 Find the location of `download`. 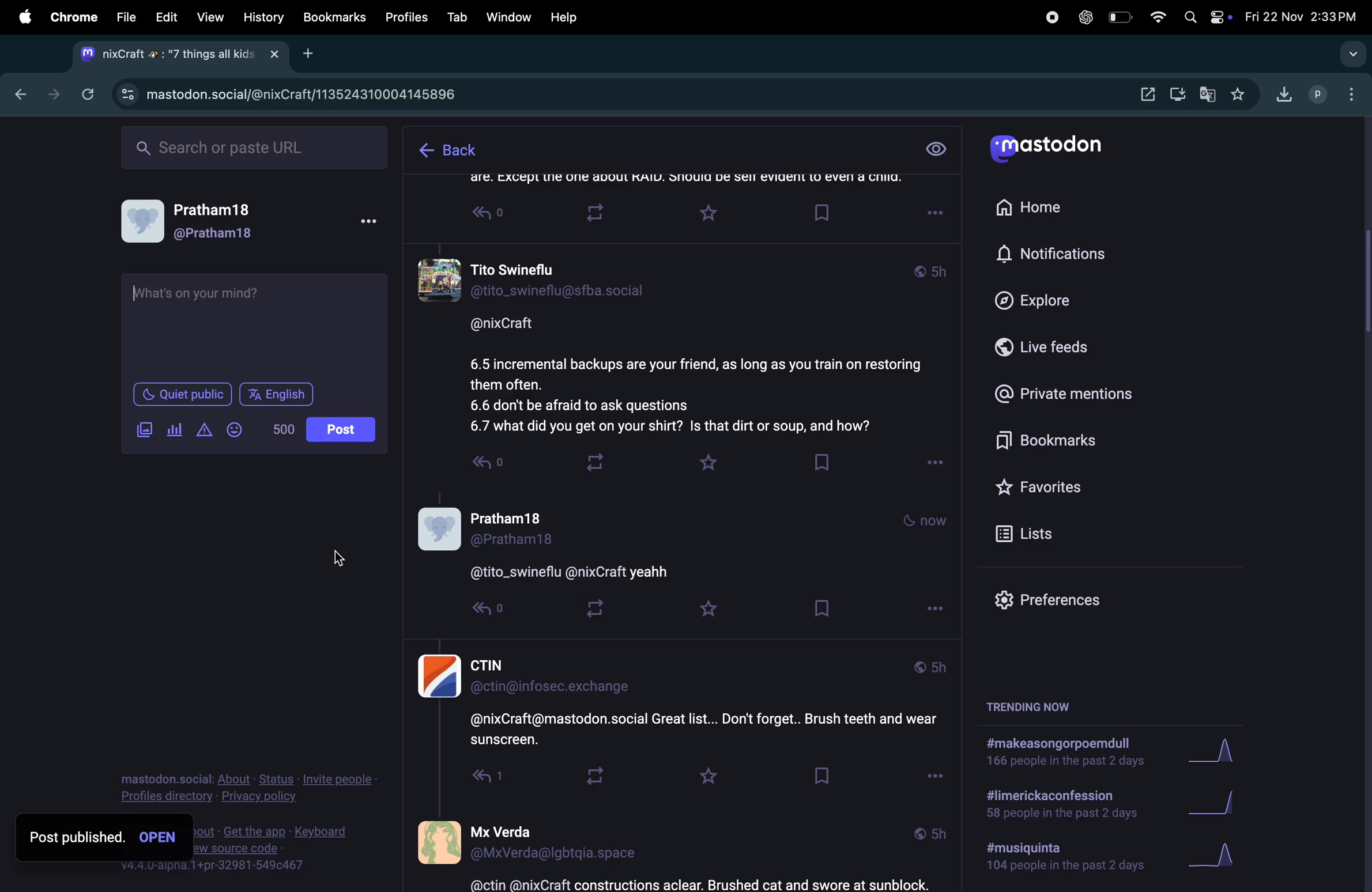

download is located at coordinates (1178, 95).